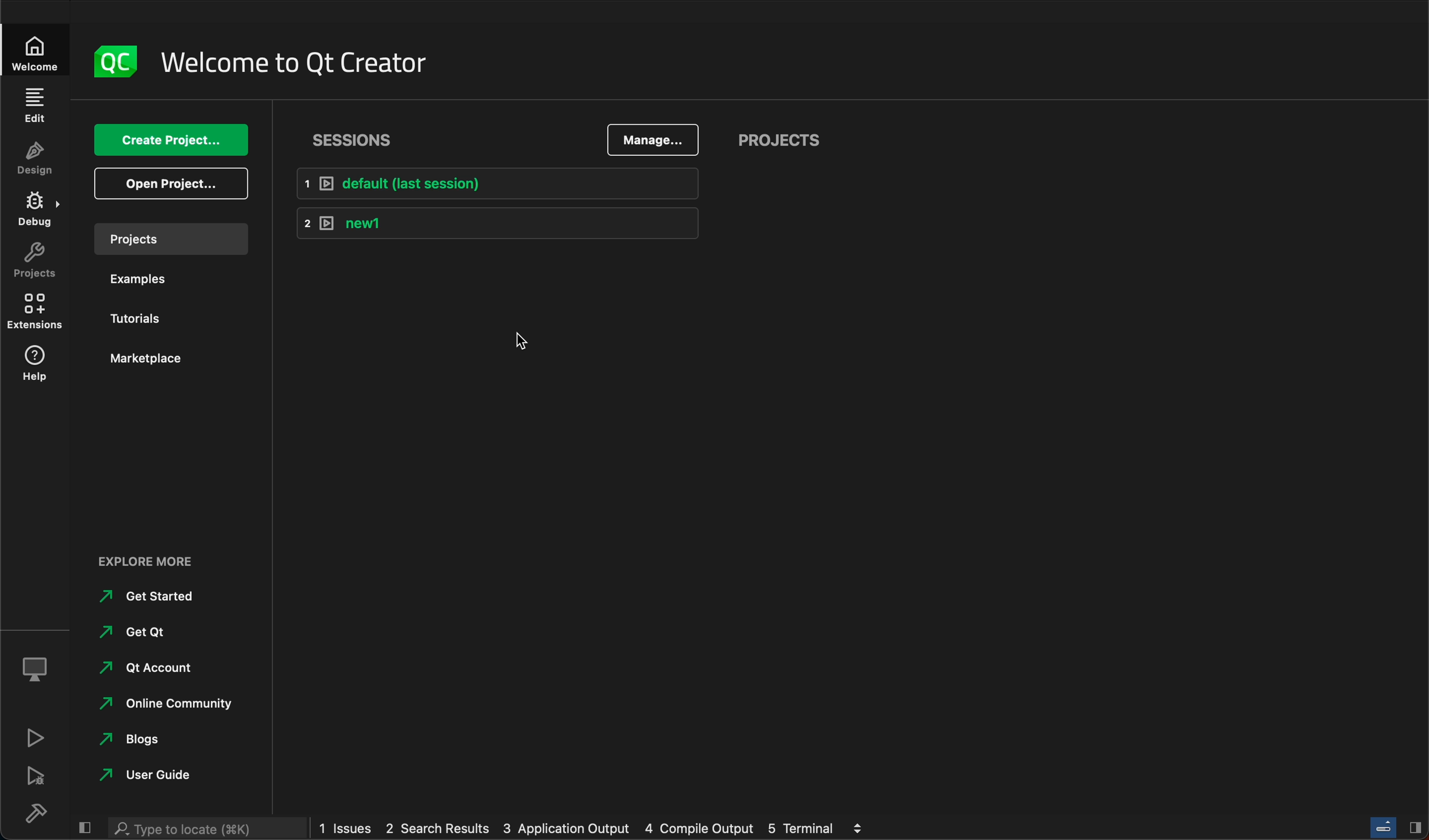 This screenshot has width=1429, height=840. Describe the element at coordinates (170, 236) in the screenshot. I see `project` at that location.